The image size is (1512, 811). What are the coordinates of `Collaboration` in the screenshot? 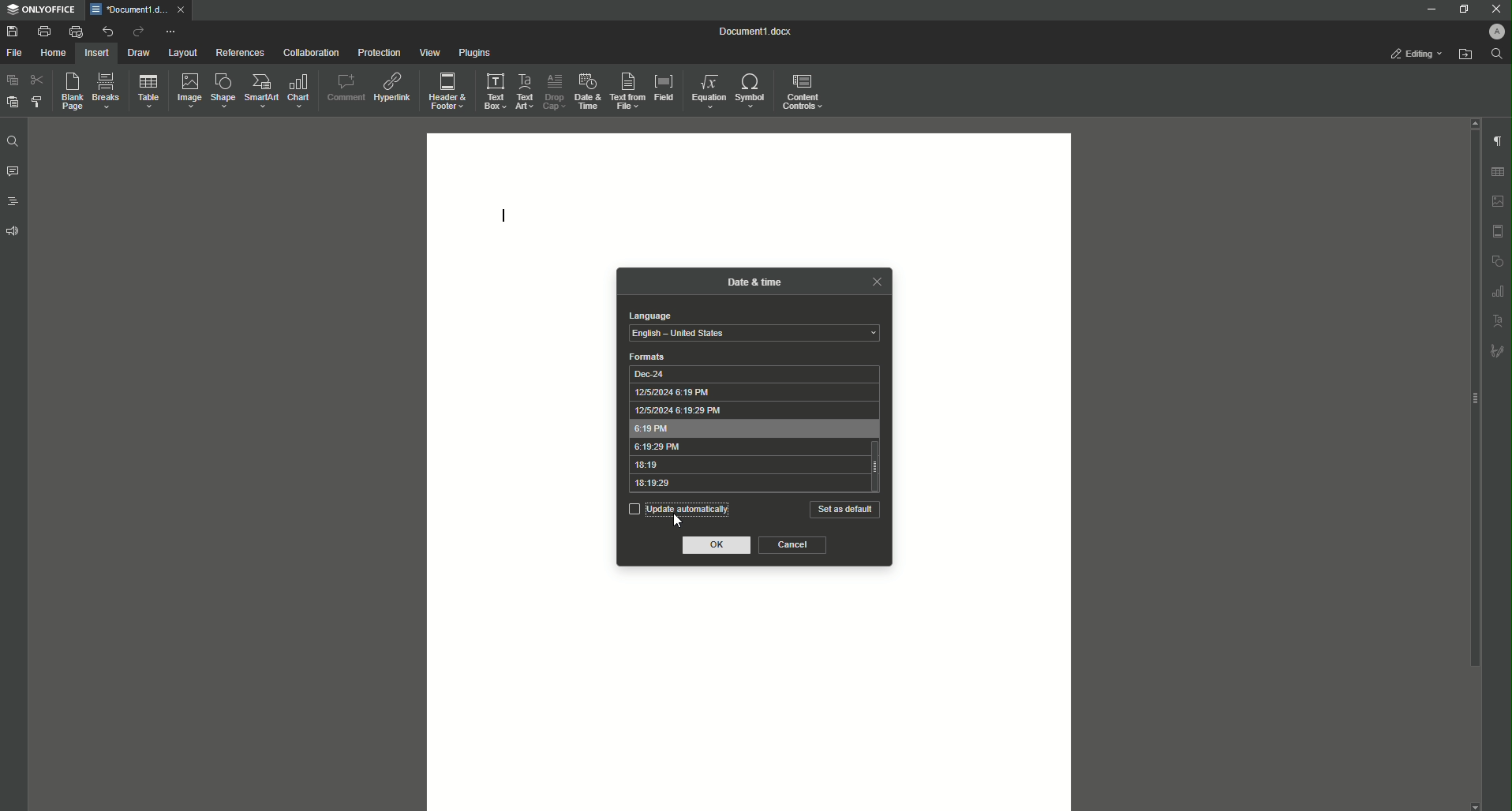 It's located at (308, 51).